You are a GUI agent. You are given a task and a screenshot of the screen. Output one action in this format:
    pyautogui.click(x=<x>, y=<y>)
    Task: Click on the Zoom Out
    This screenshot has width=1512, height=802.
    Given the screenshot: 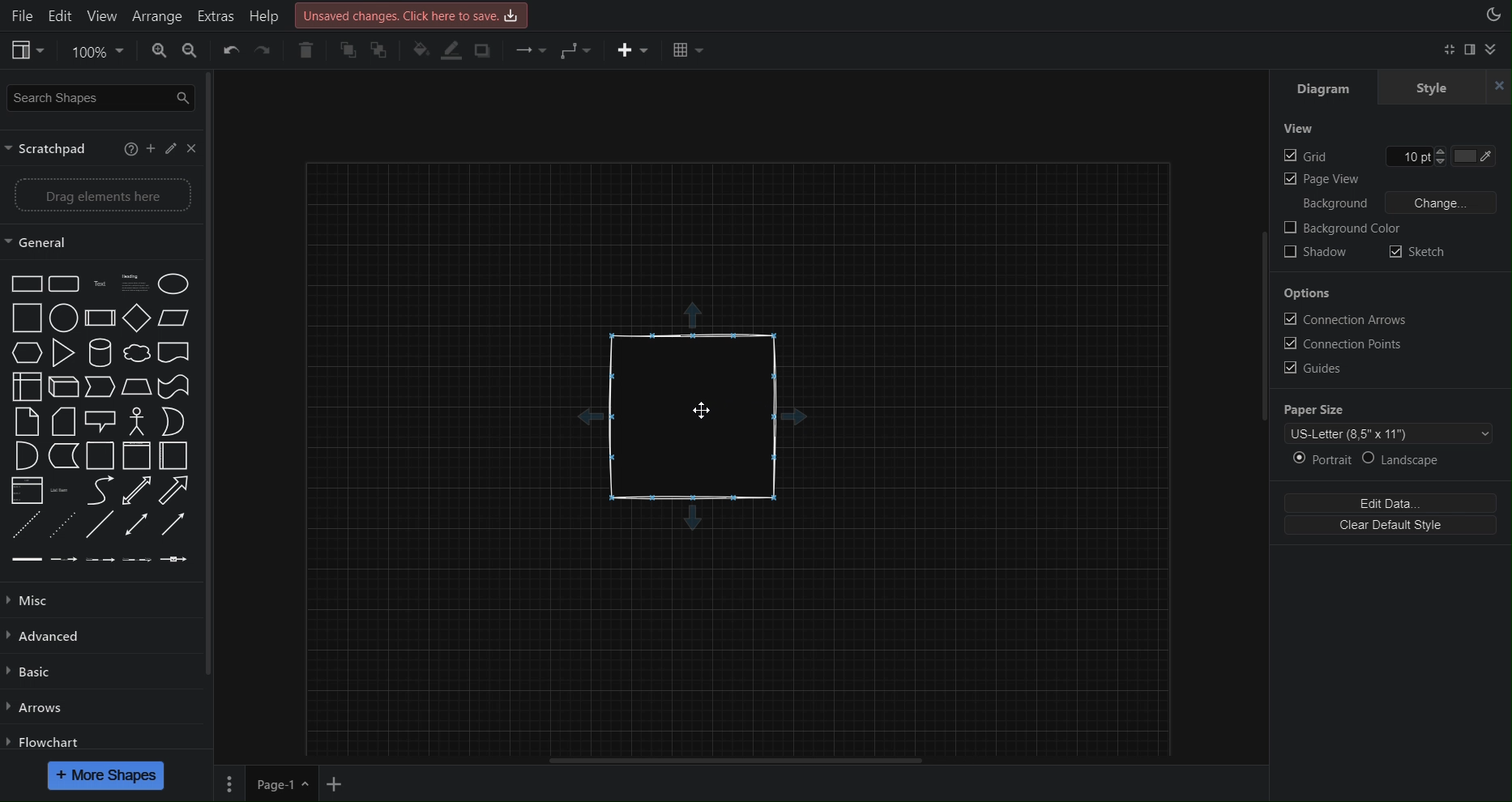 What is the action you would take?
    pyautogui.click(x=200, y=53)
    